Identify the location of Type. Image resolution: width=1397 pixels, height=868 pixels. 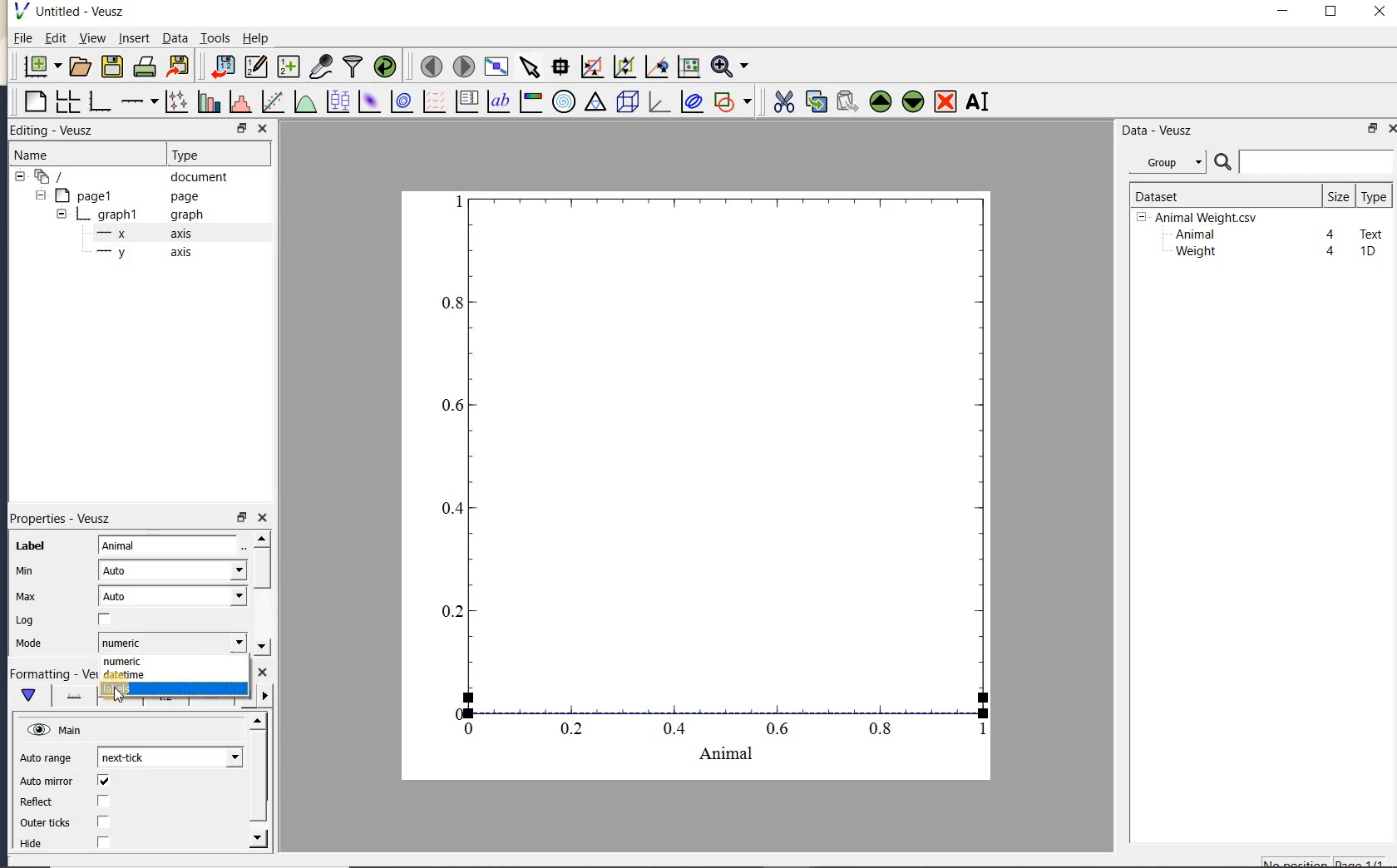
(215, 153).